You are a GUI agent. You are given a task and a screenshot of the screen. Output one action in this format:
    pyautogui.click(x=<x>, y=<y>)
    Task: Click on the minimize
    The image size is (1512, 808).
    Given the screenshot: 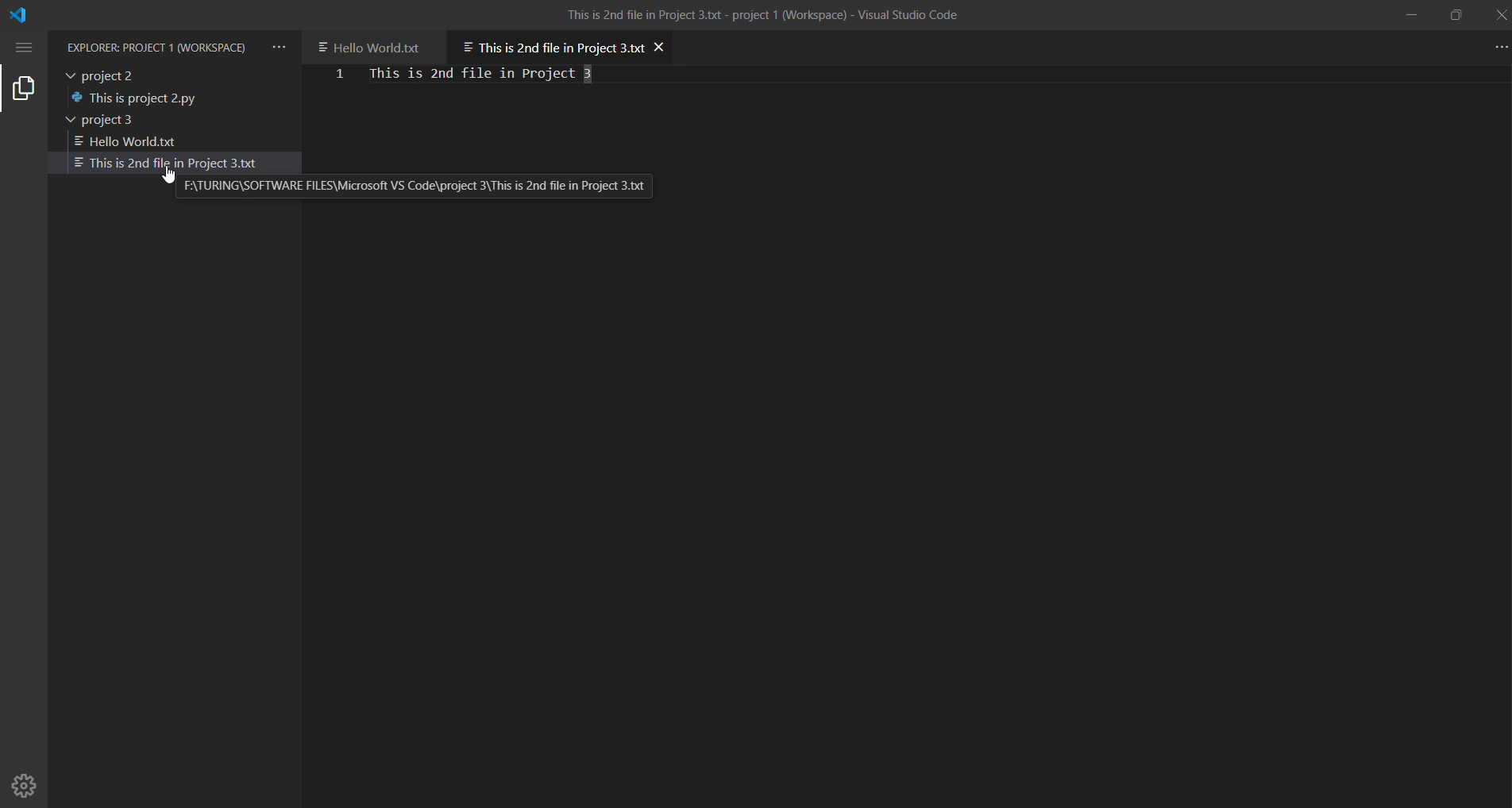 What is the action you would take?
    pyautogui.click(x=1414, y=14)
    